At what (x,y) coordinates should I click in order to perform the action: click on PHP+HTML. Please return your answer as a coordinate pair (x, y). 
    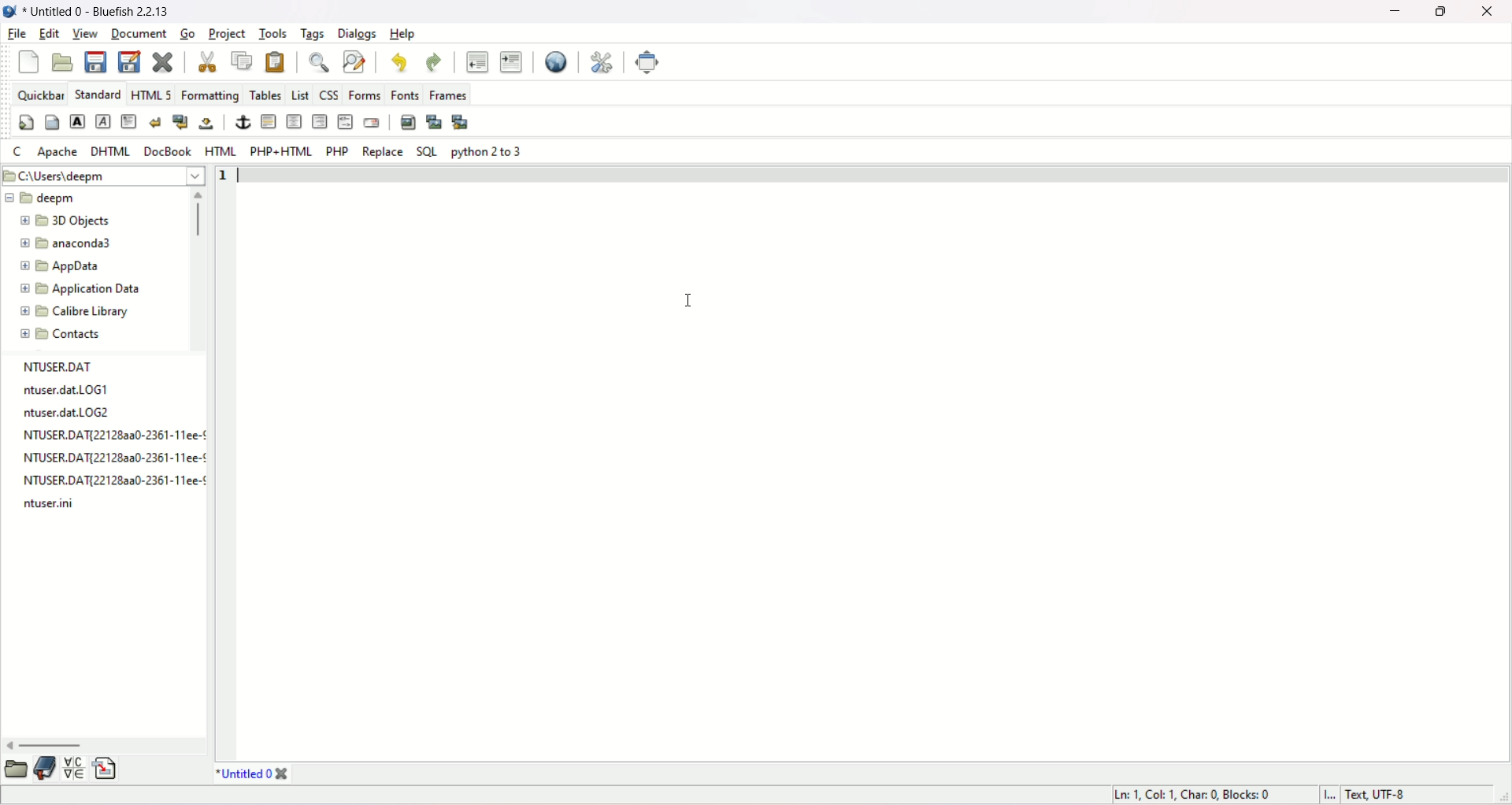
    Looking at the image, I should click on (280, 151).